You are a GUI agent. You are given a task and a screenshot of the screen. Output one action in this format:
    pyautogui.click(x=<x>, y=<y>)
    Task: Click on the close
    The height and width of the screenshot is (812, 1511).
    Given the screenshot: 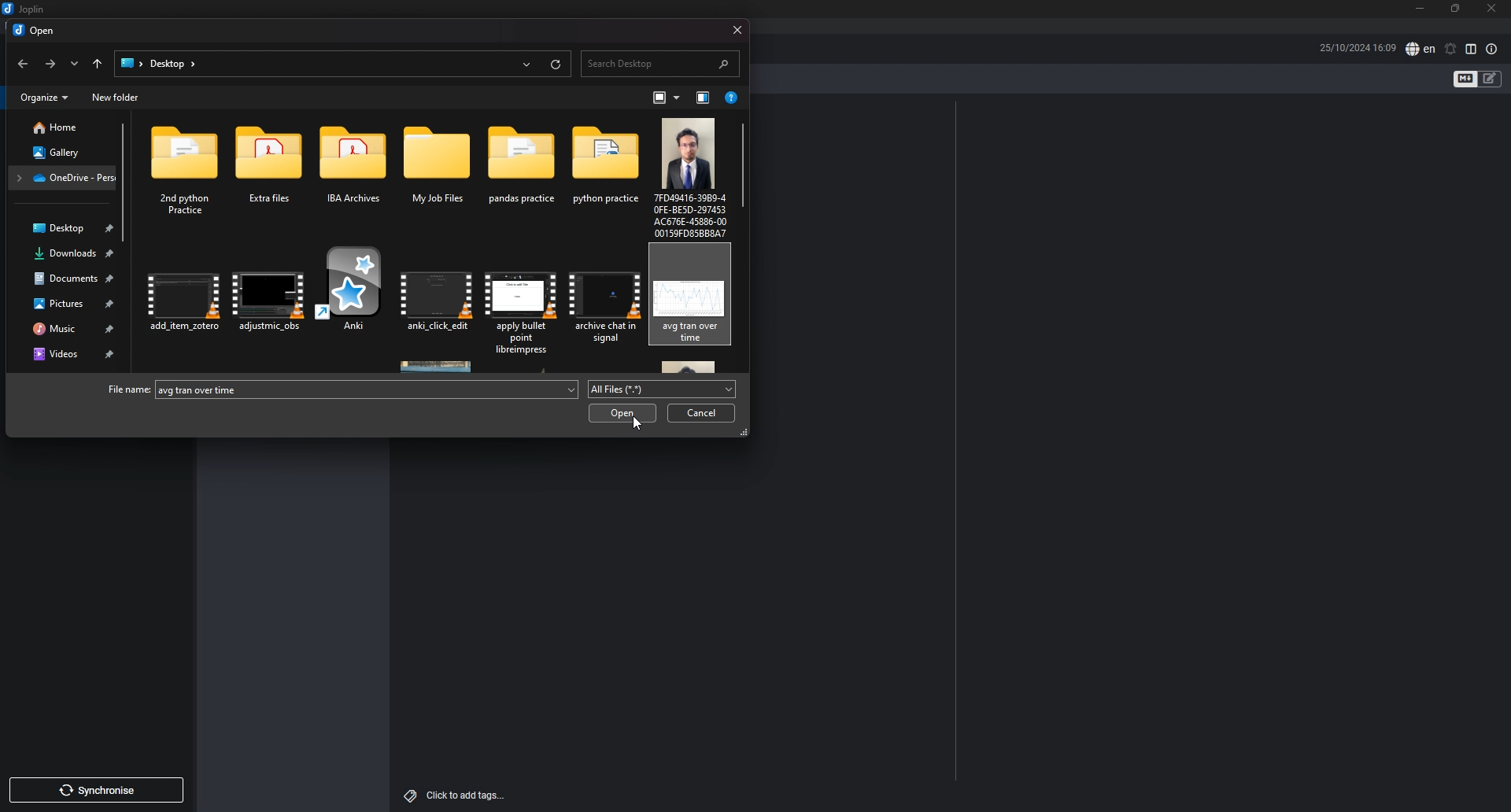 What is the action you would take?
    pyautogui.click(x=1492, y=9)
    